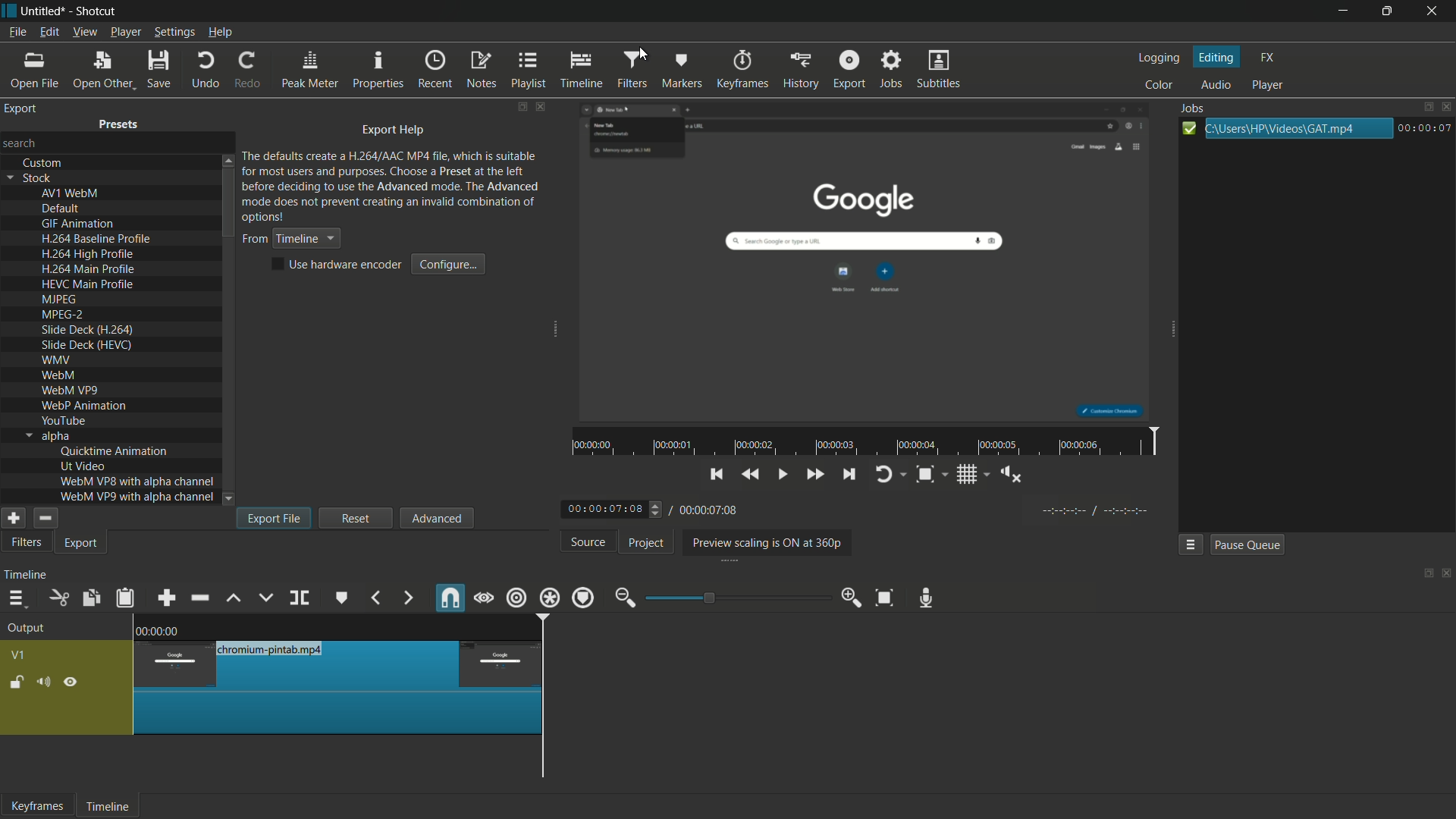 The width and height of the screenshot is (1456, 819). What do you see at coordinates (30, 629) in the screenshot?
I see `output` at bounding box center [30, 629].